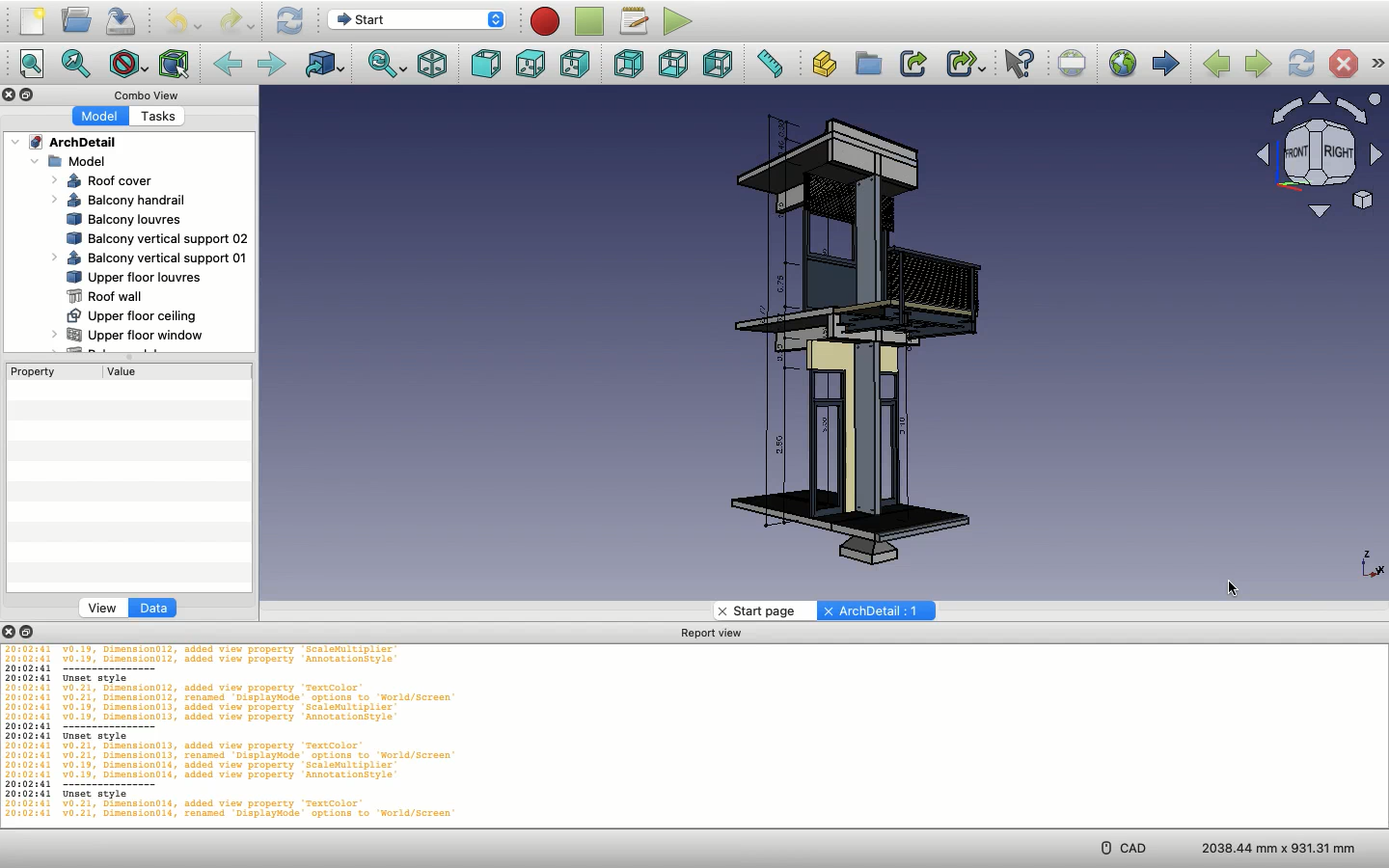 Image resolution: width=1389 pixels, height=868 pixels. Describe the element at coordinates (1299, 64) in the screenshot. I see `Refresh web page` at that location.